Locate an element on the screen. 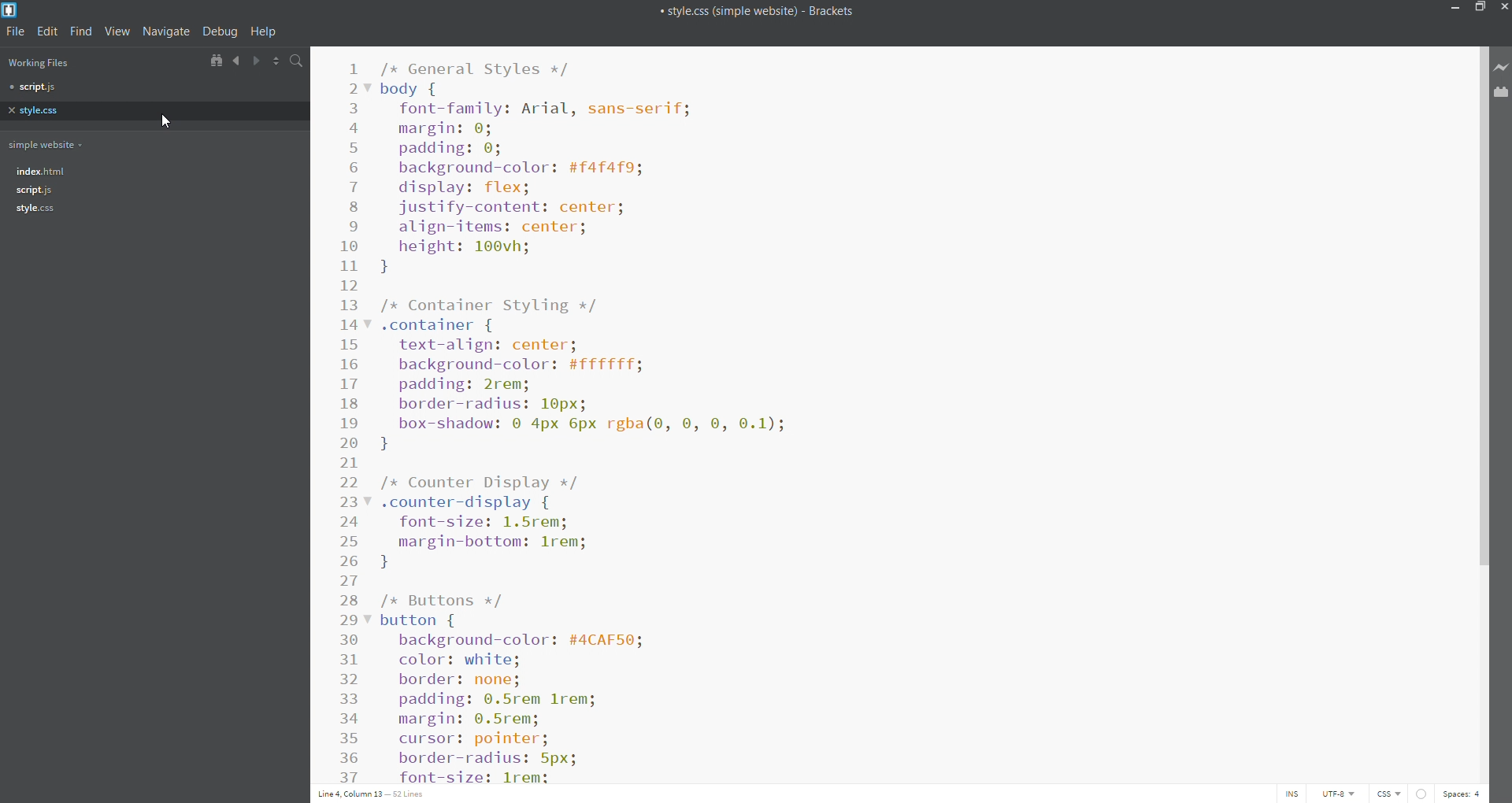 The height and width of the screenshot is (803, 1512). cursor is located at coordinates (168, 121).